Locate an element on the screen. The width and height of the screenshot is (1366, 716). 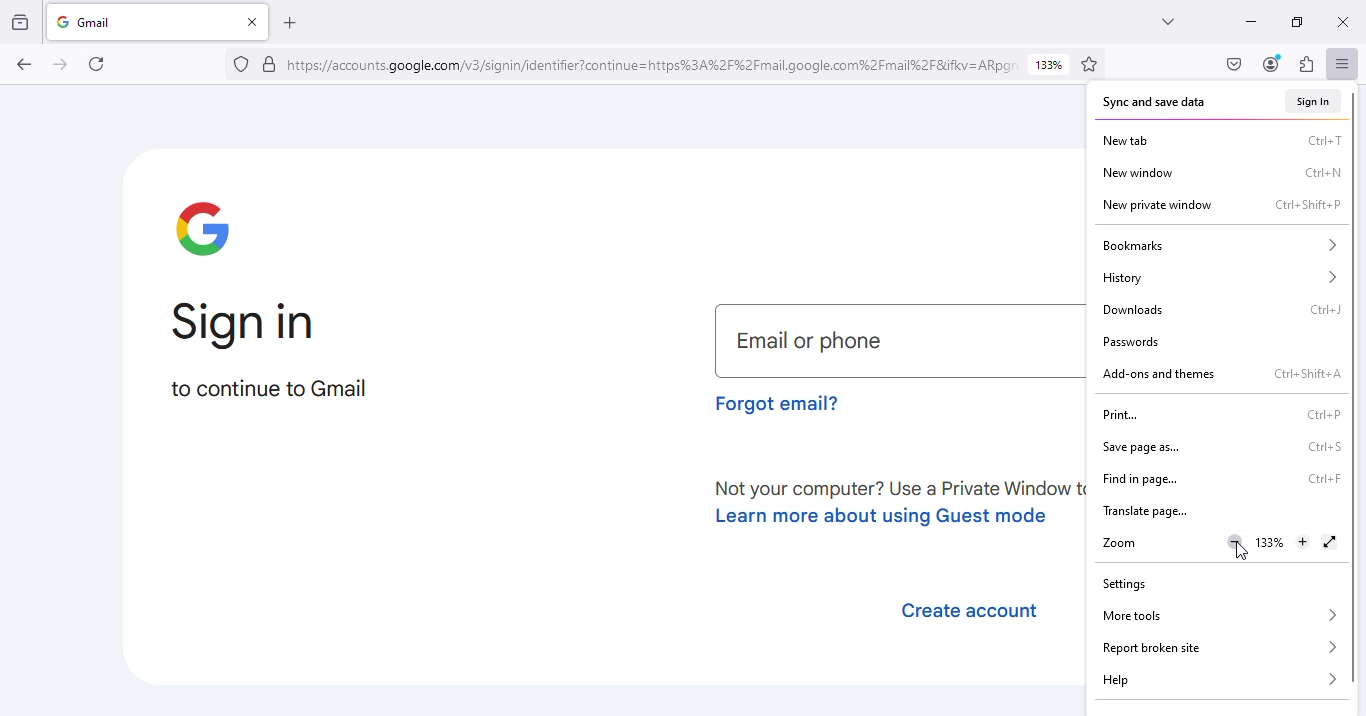
learn about using guest mode. is located at coordinates (891, 504).